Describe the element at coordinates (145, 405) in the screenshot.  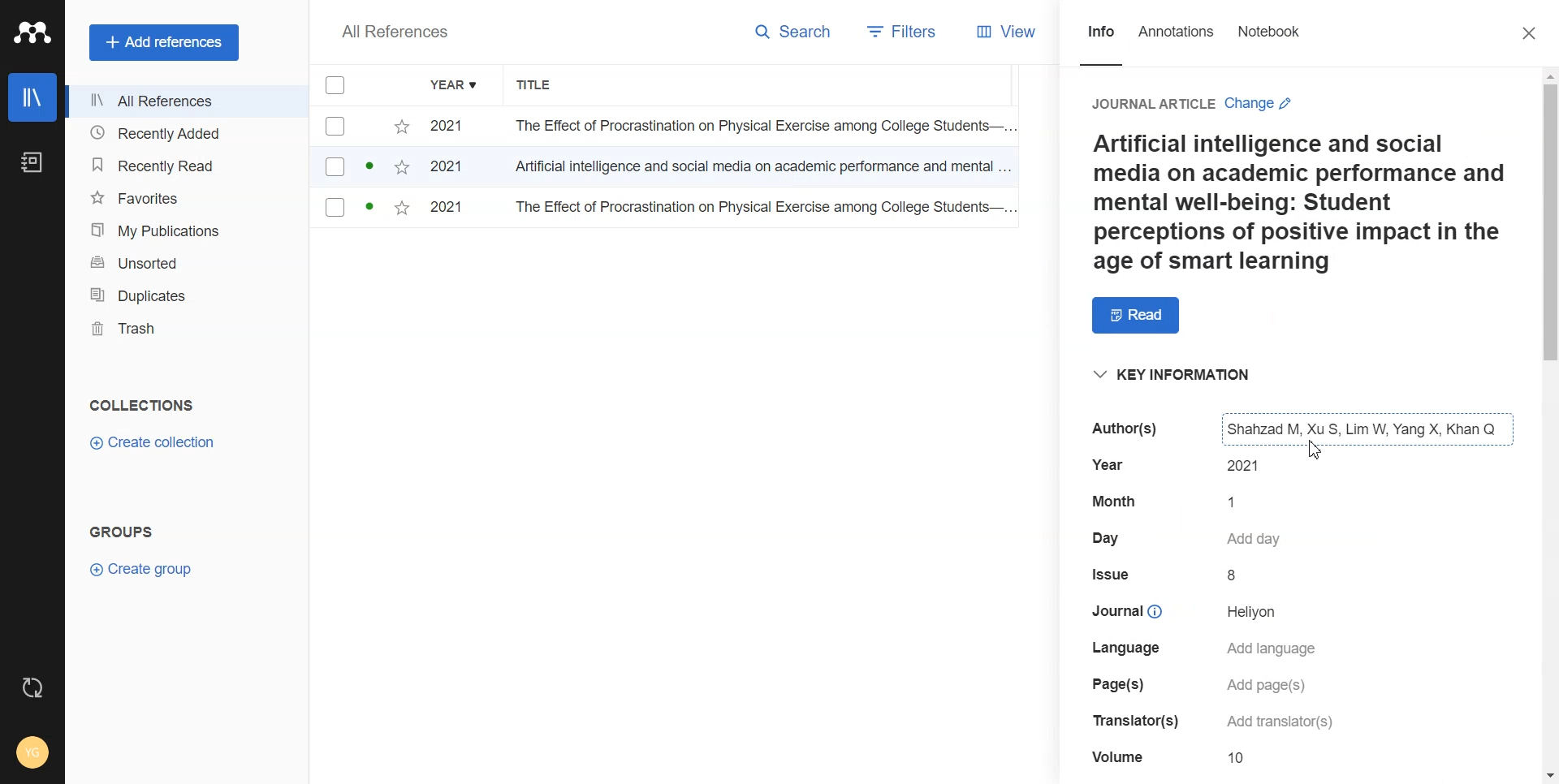
I see `COLLECTIONS` at that location.